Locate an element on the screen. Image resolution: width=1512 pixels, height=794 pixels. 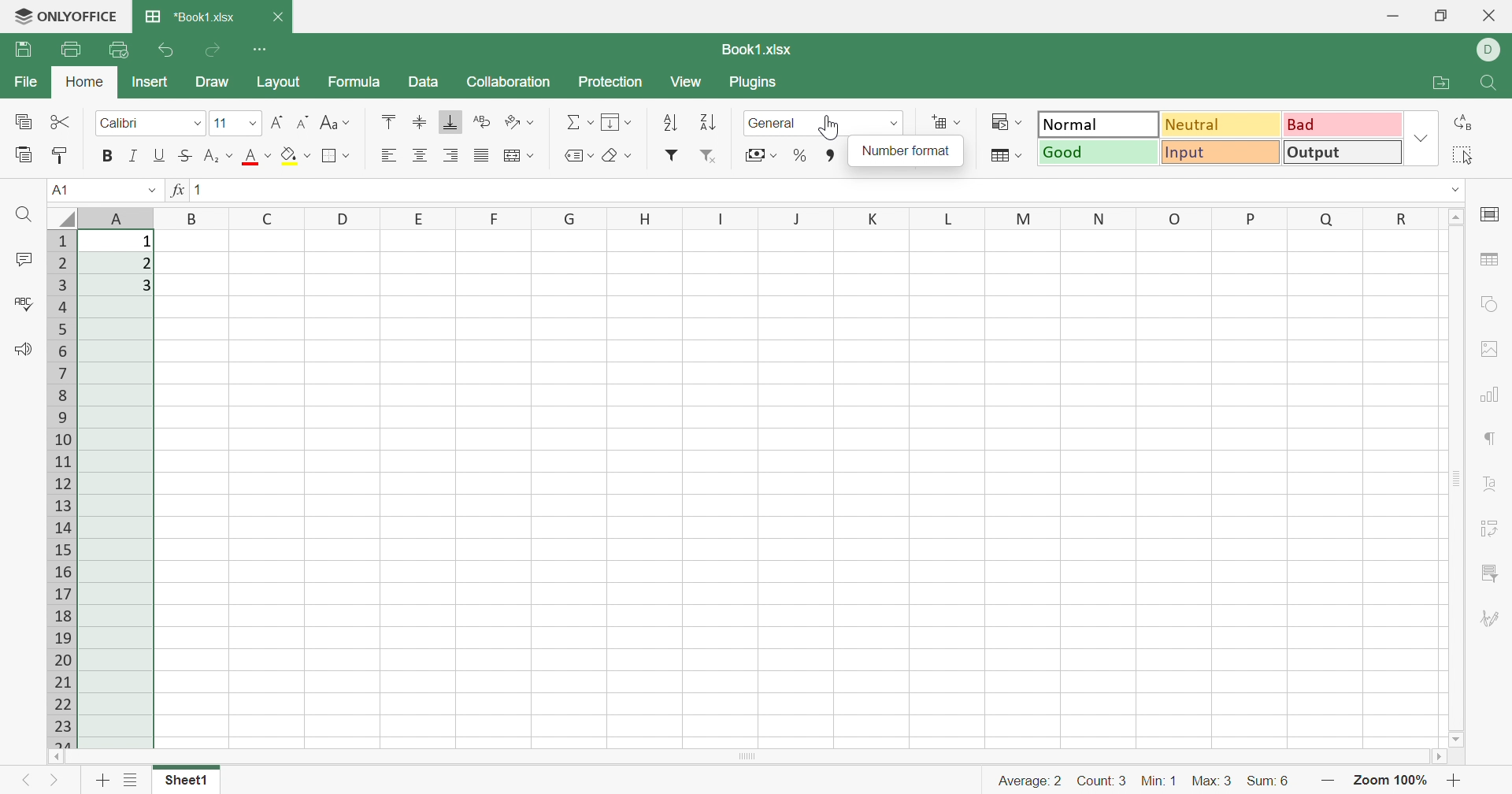
Layout is located at coordinates (278, 82).